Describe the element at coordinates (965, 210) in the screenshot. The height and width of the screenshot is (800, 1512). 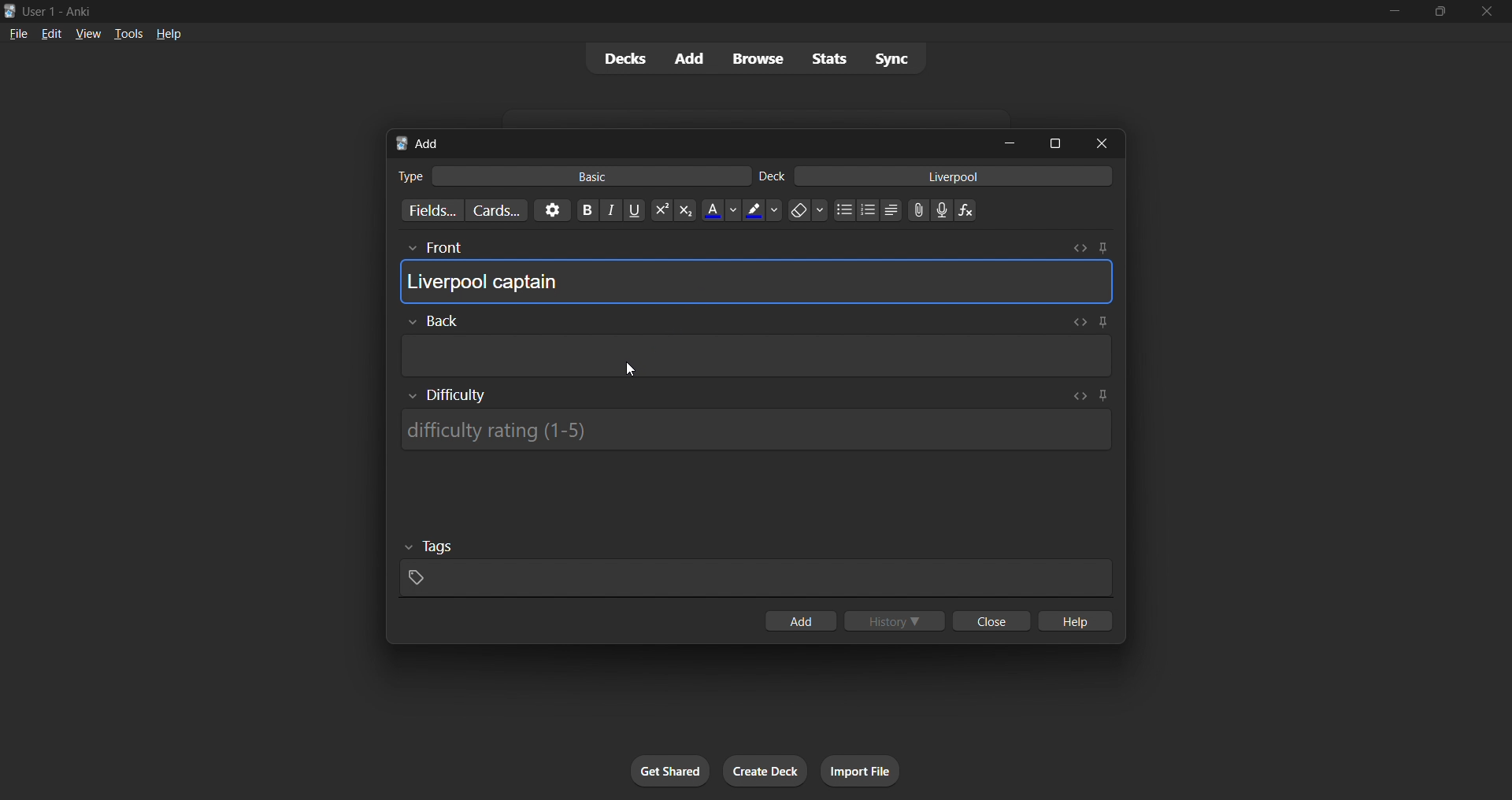
I see `Equation` at that location.